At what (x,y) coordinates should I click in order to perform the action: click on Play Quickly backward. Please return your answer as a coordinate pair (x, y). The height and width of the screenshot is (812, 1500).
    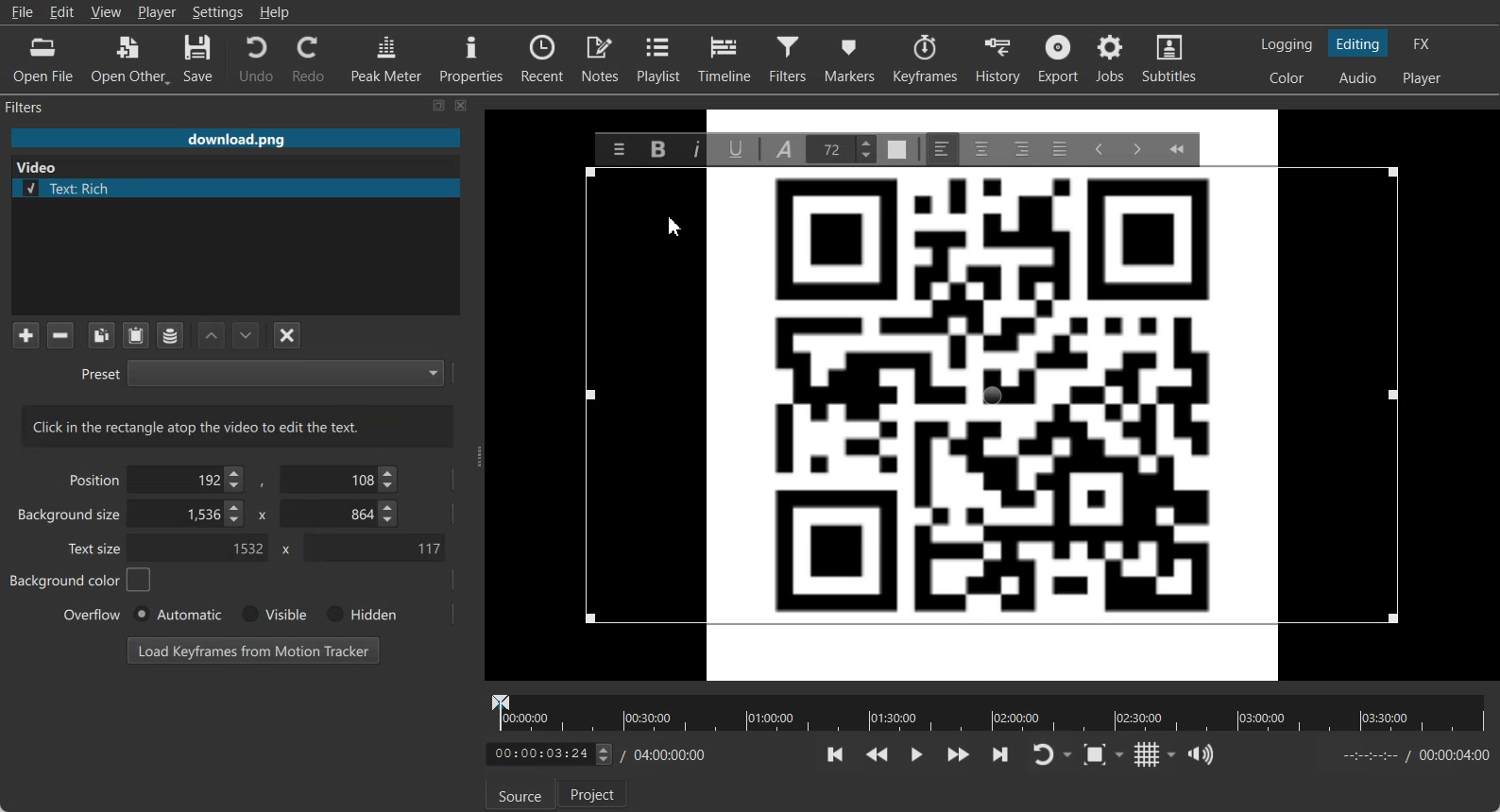
    Looking at the image, I should click on (878, 754).